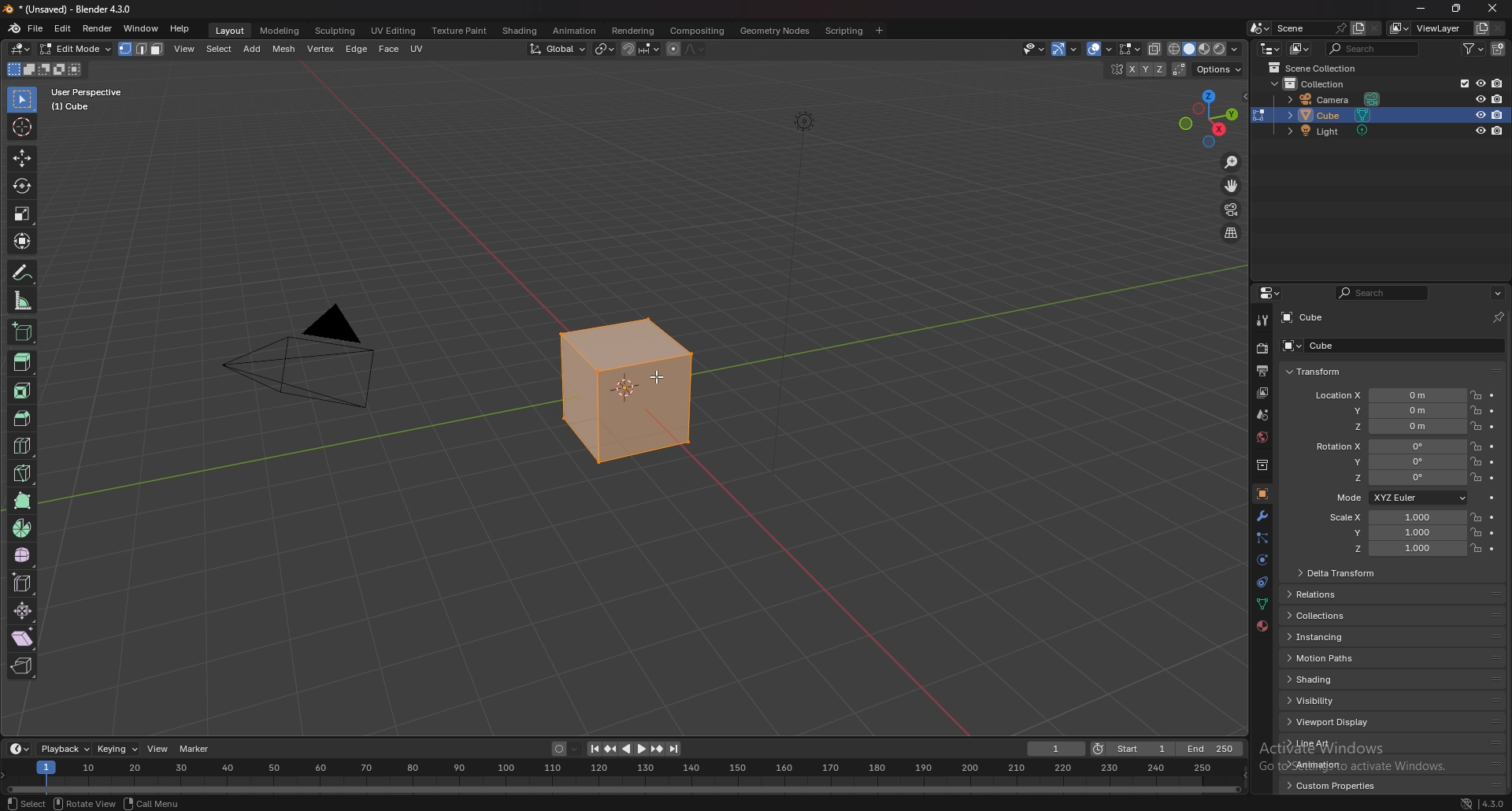  I want to click on lock location, so click(1477, 531).